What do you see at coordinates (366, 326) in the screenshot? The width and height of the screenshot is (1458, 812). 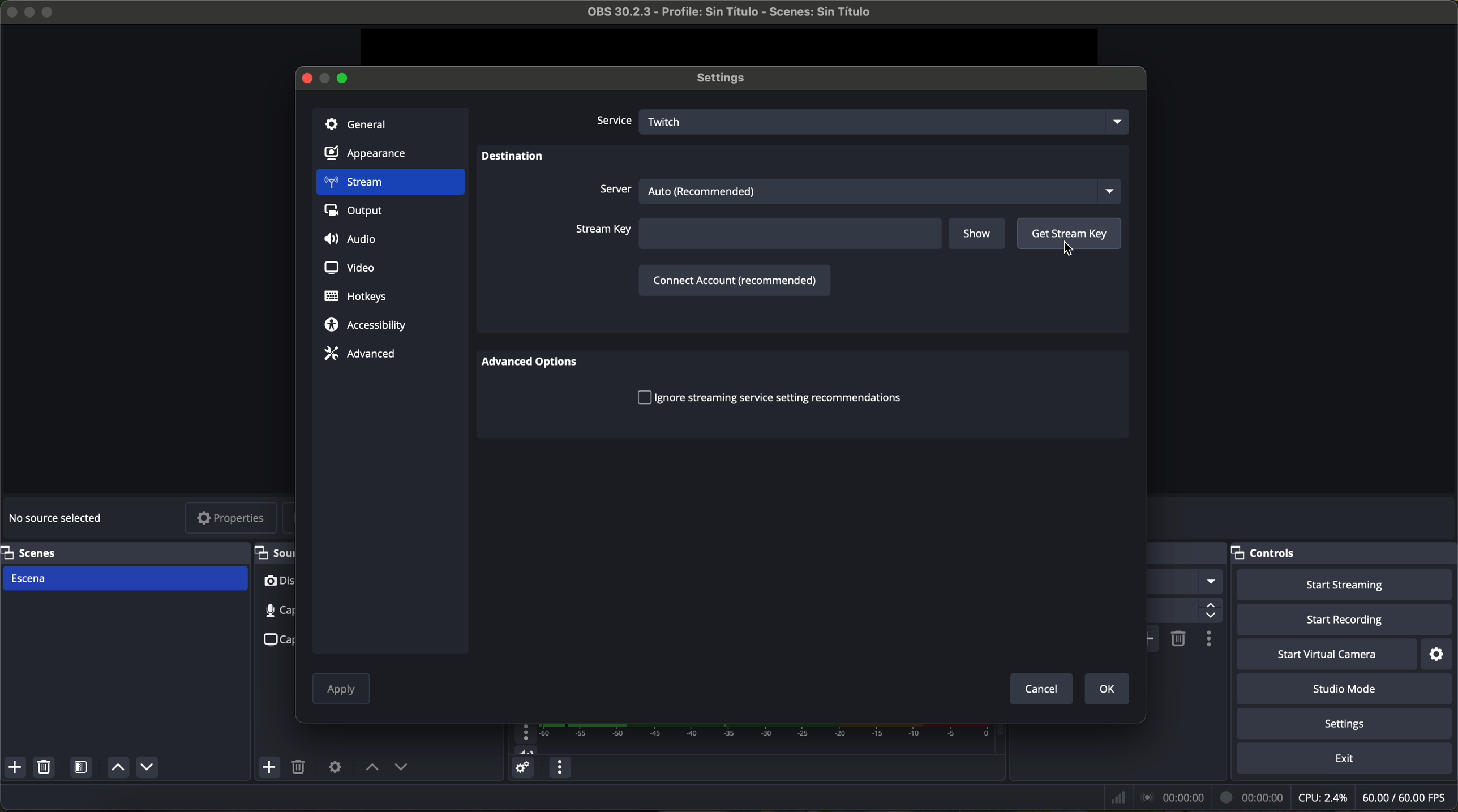 I see `accessibility` at bounding box center [366, 326].